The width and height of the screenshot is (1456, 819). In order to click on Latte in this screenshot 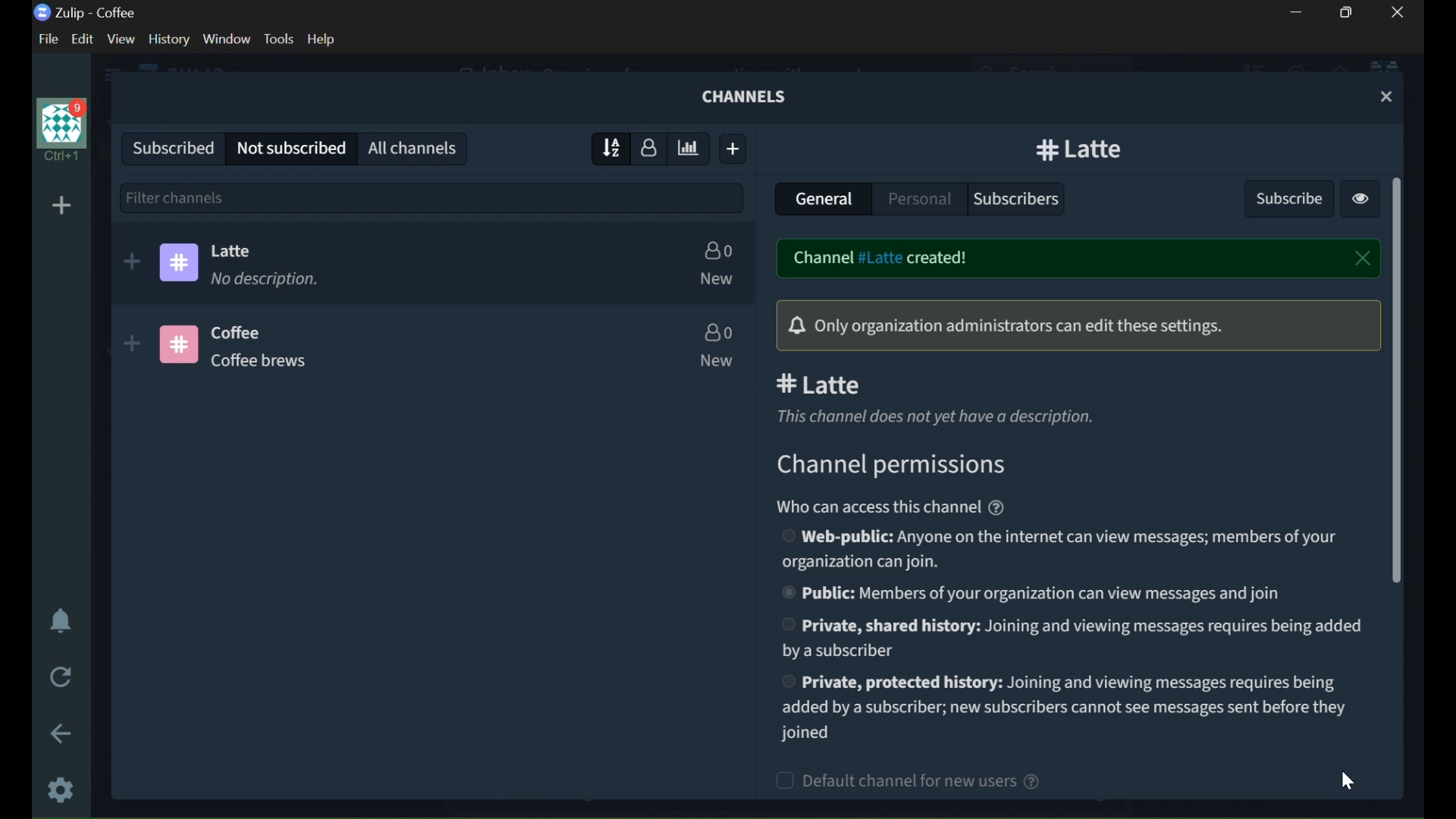, I will do `click(237, 251)`.